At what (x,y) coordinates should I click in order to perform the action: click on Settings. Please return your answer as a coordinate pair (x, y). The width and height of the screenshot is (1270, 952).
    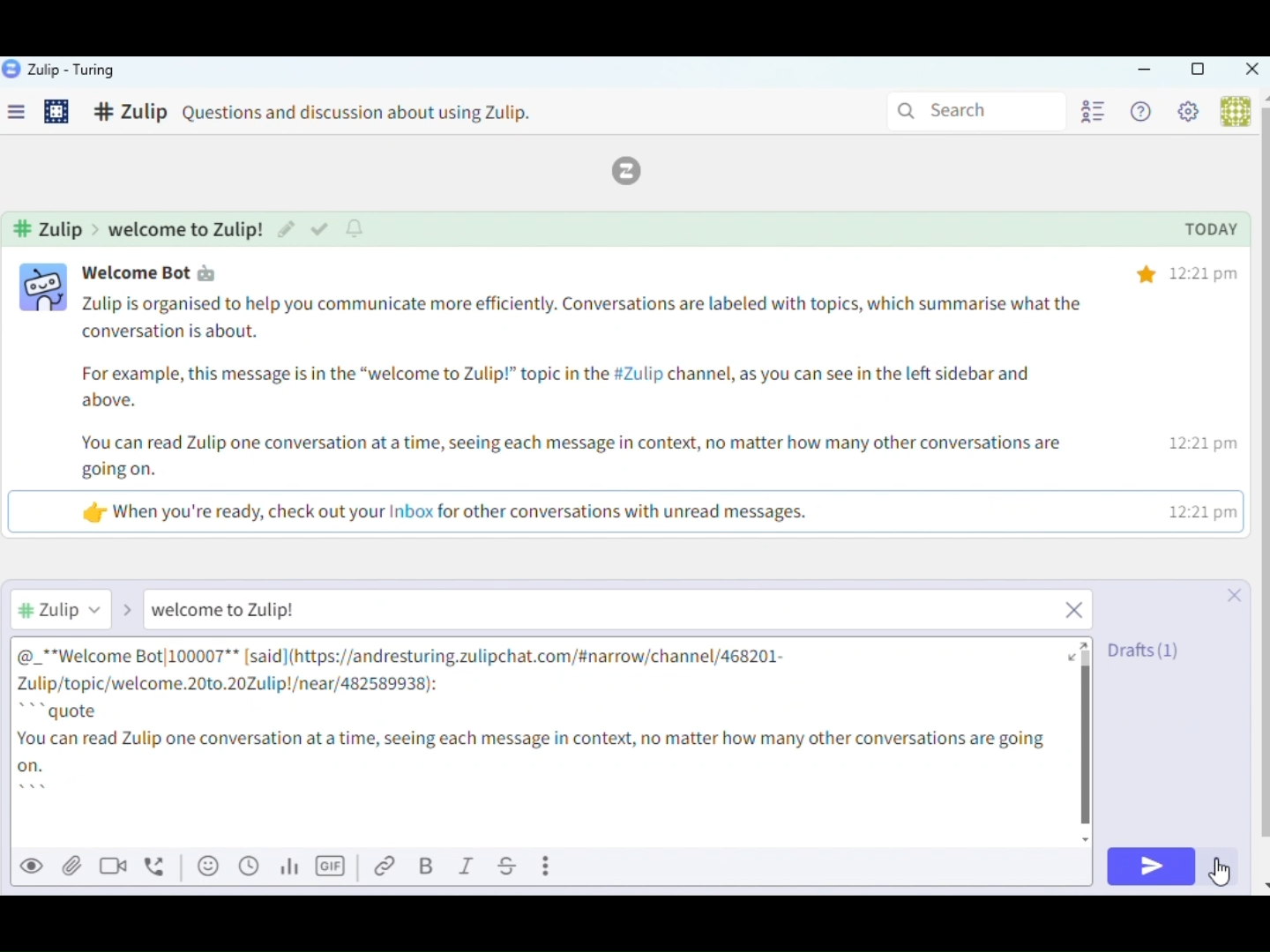
    Looking at the image, I should click on (1192, 115).